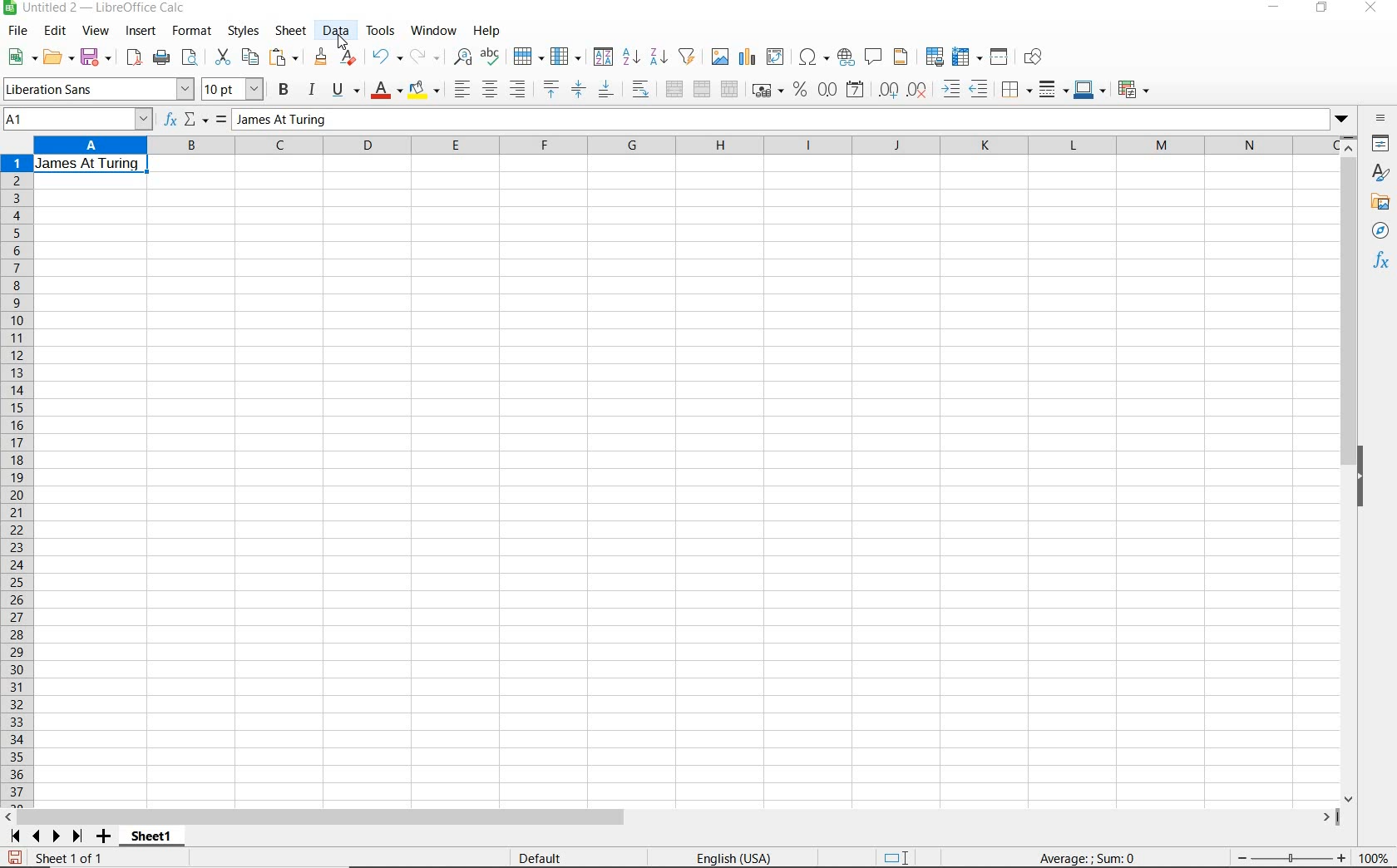  What do you see at coordinates (96, 57) in the screenshot?
I see `save` at bounding box center [96, 57].